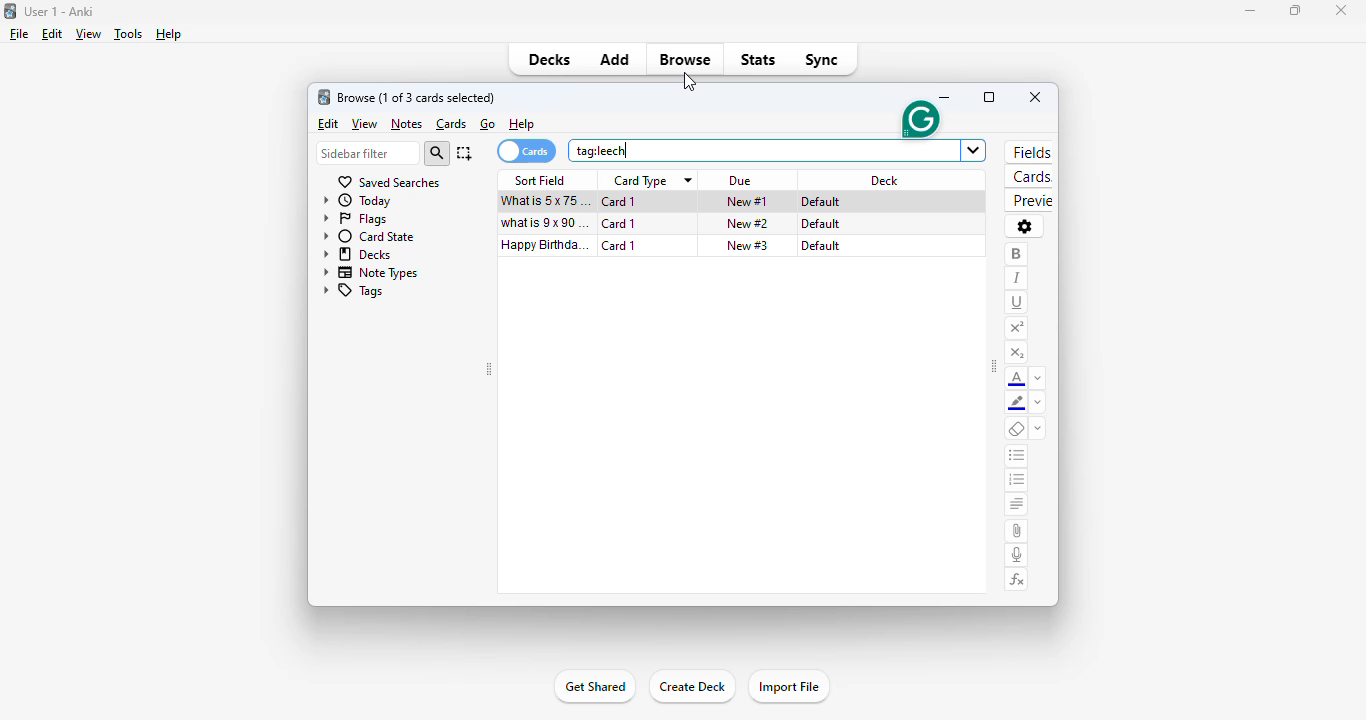  Describe the element at coordinates (1038, 403) in the screenshot. I see `change color` at that location.